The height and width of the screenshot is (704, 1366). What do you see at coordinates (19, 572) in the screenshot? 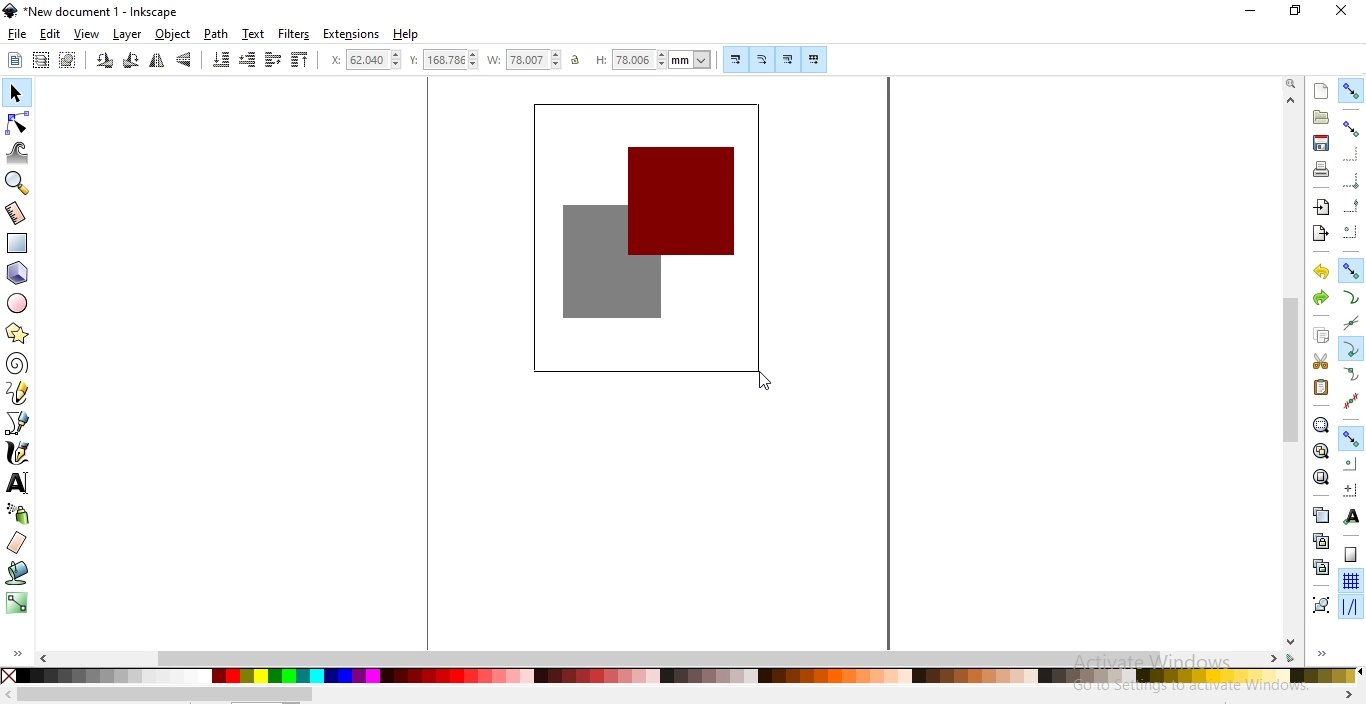
I see `fill bounded areas` at bounding box center [19, 572].